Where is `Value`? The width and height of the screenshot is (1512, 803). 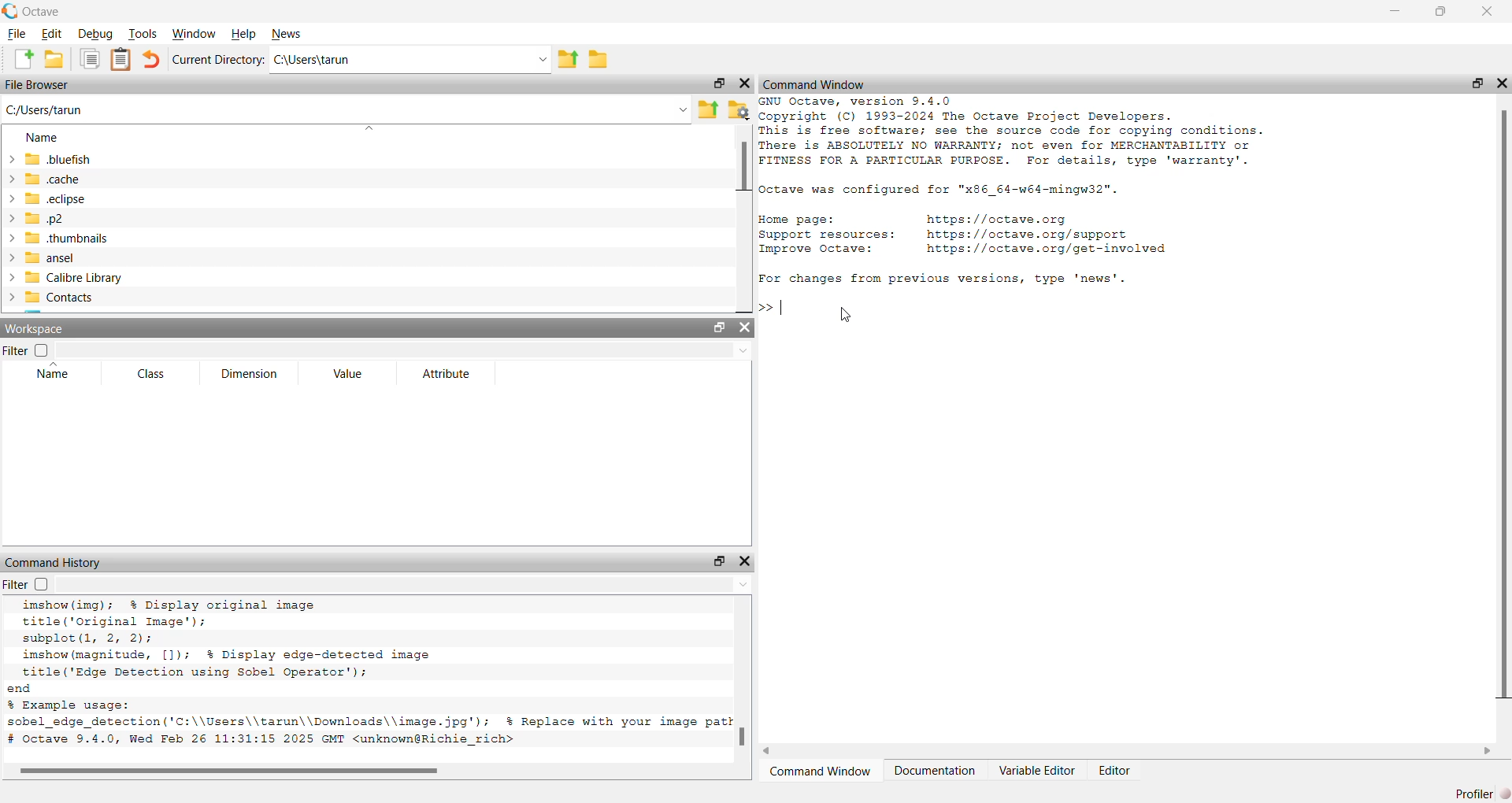
Value is located at coordinates (351, 374).